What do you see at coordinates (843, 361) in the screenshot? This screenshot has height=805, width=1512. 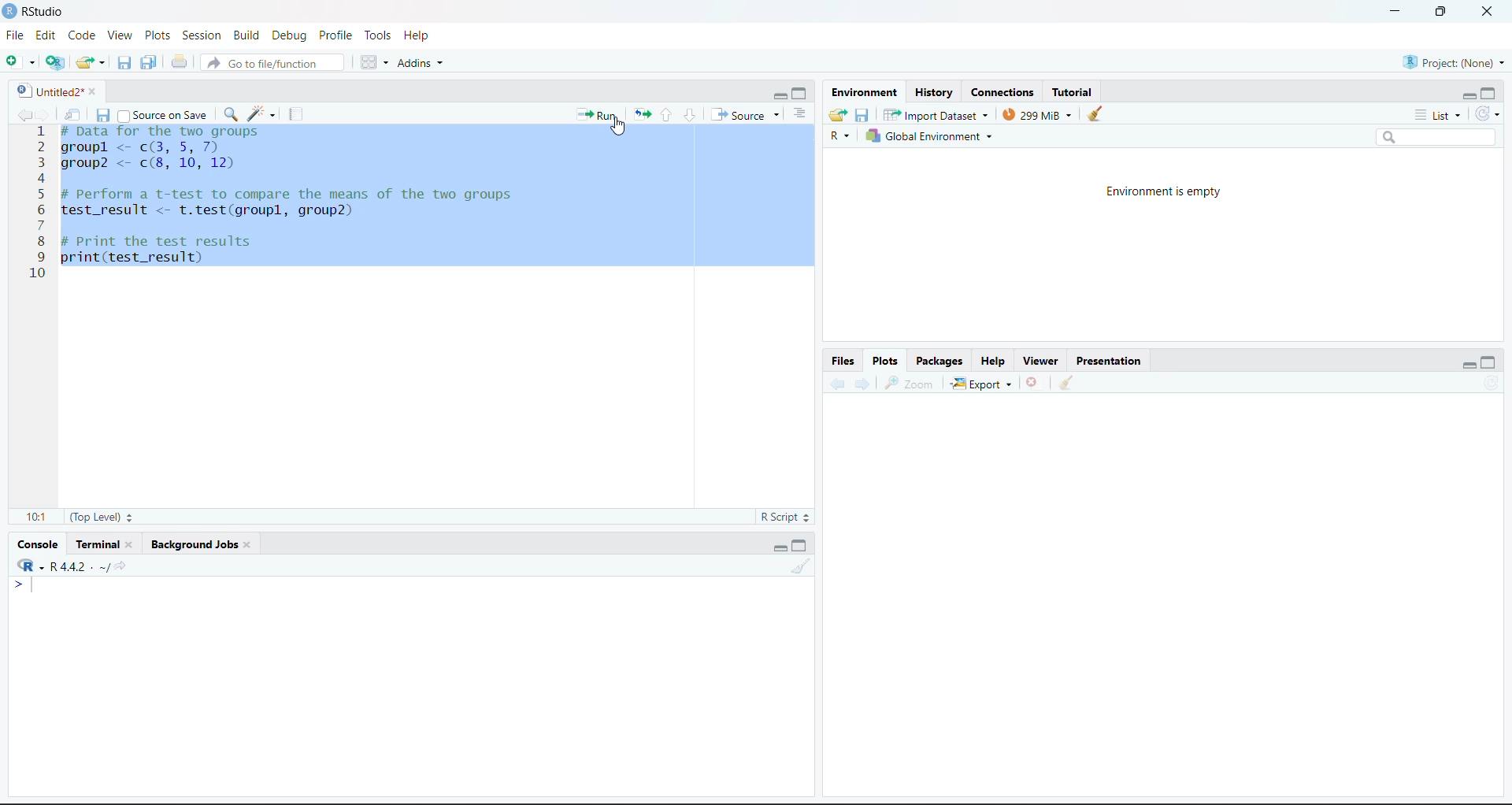 I see `Files` at bounding box center [843, 361].